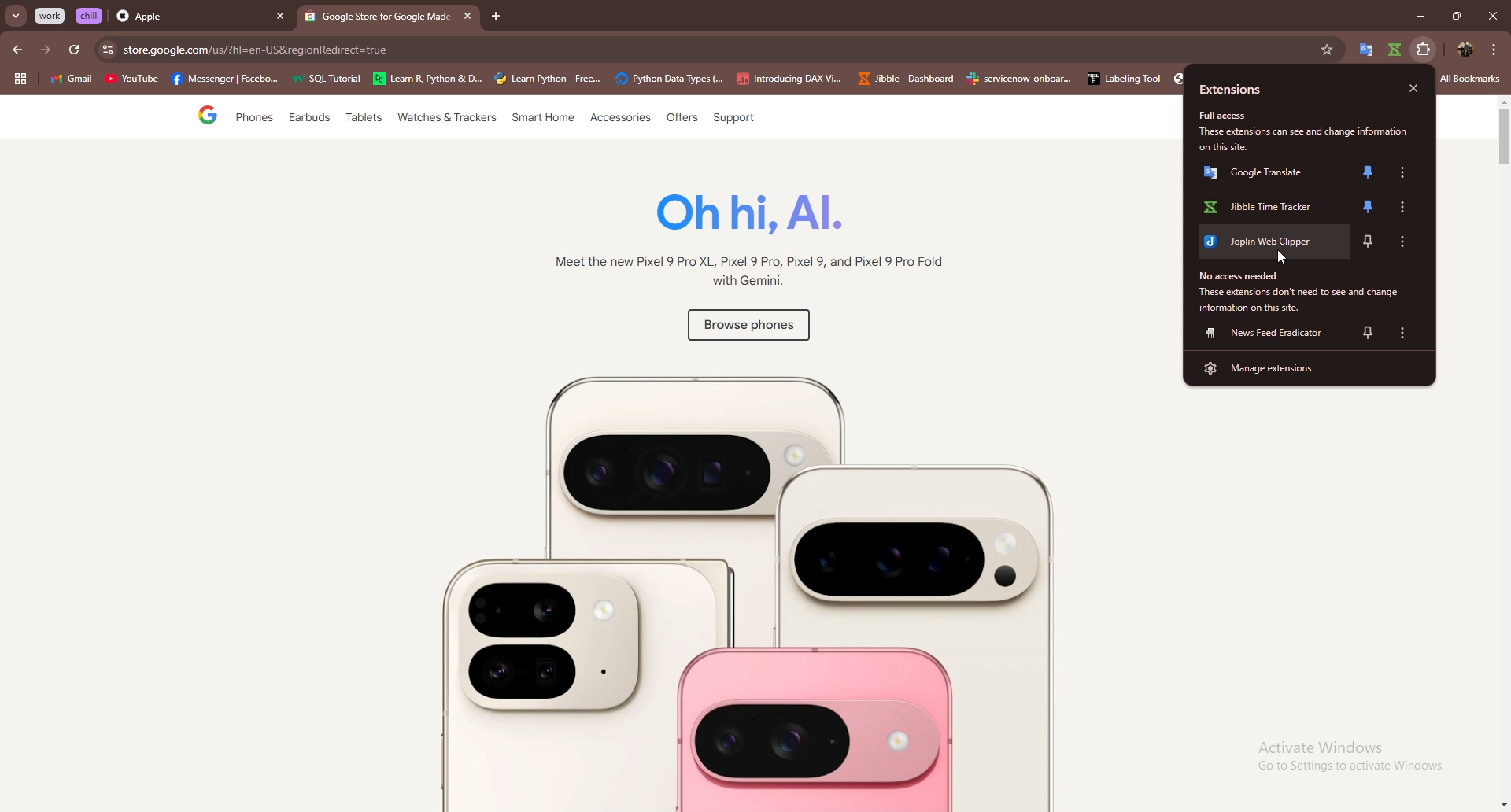 The width and height of the screenshot is (1511, 812). I want to click on forward, so click(46, 50).